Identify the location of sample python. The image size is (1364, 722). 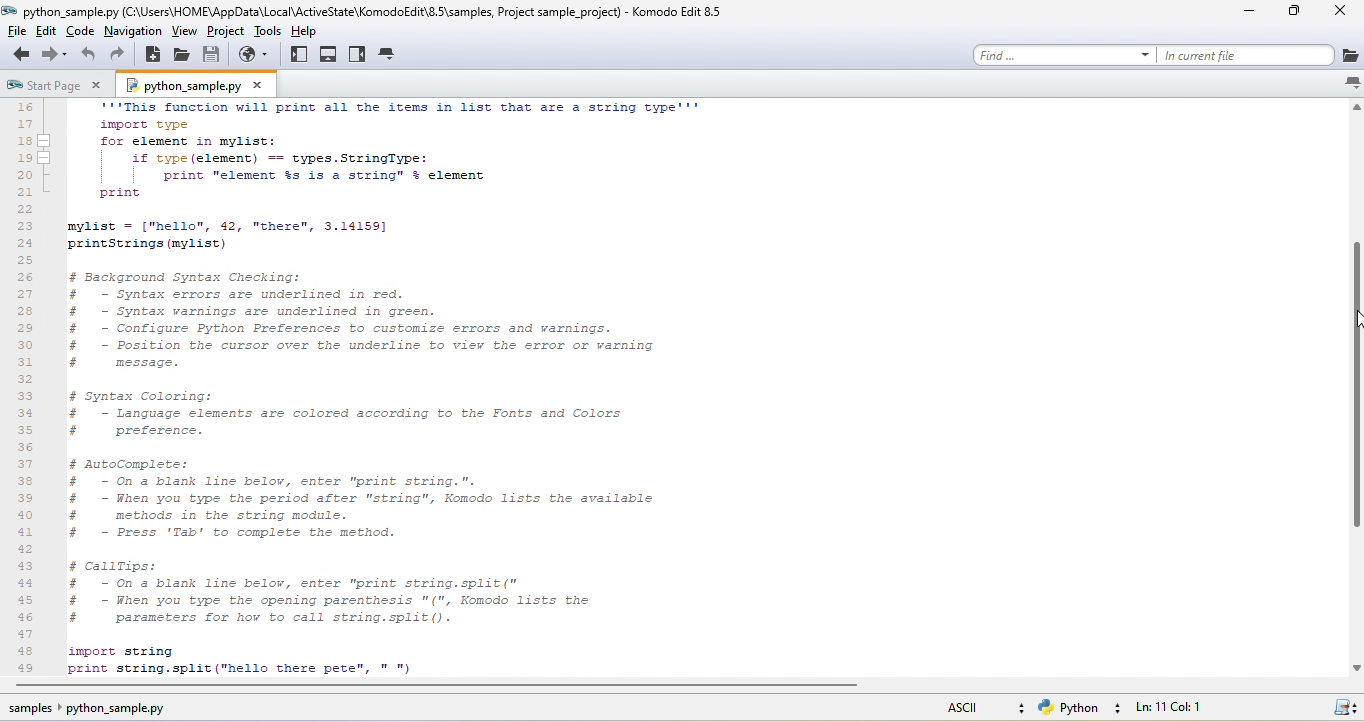
(102, 710).